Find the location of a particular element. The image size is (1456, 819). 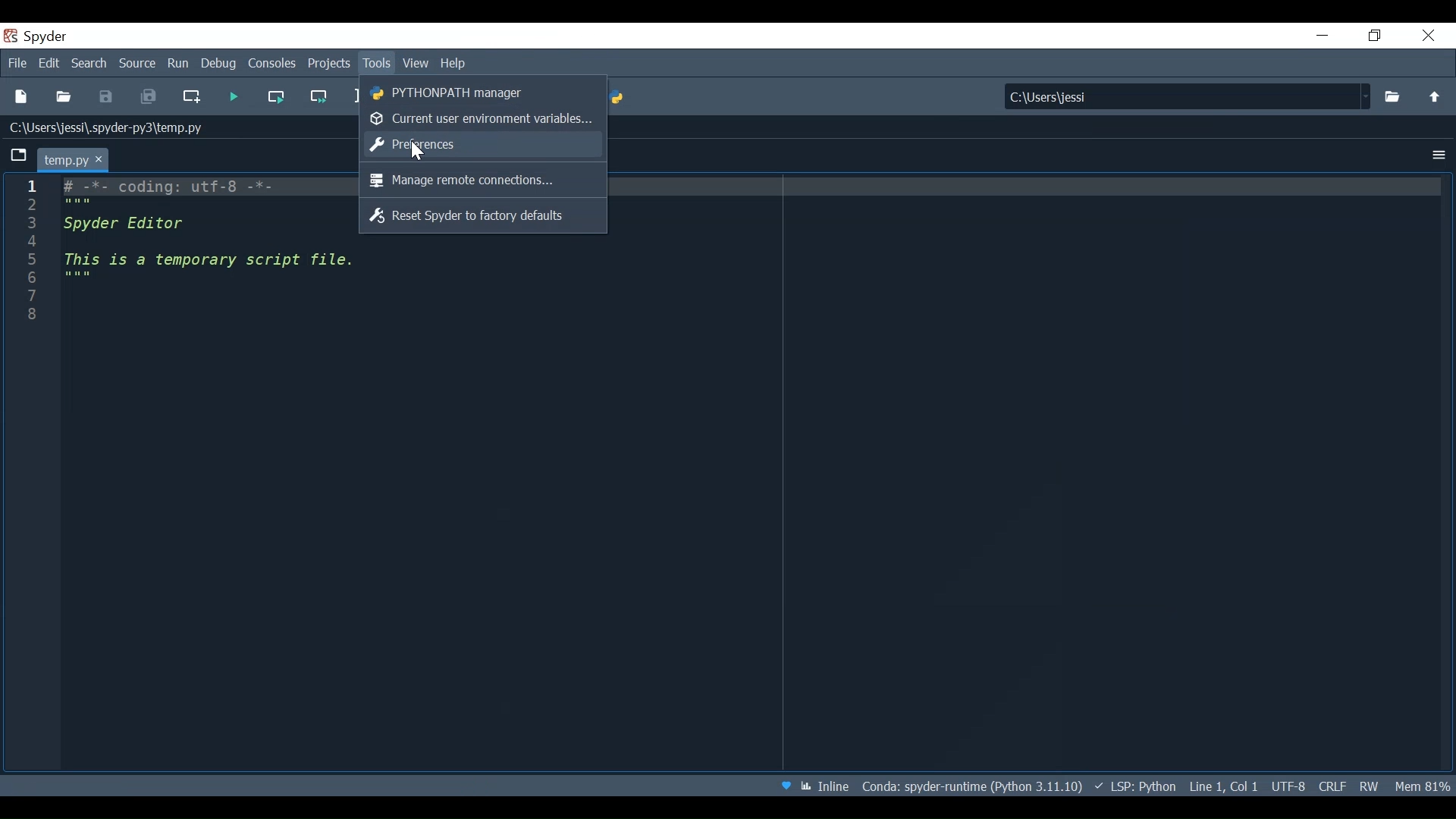

PYTHONPATH Manager is located at coordinates (484, 91).